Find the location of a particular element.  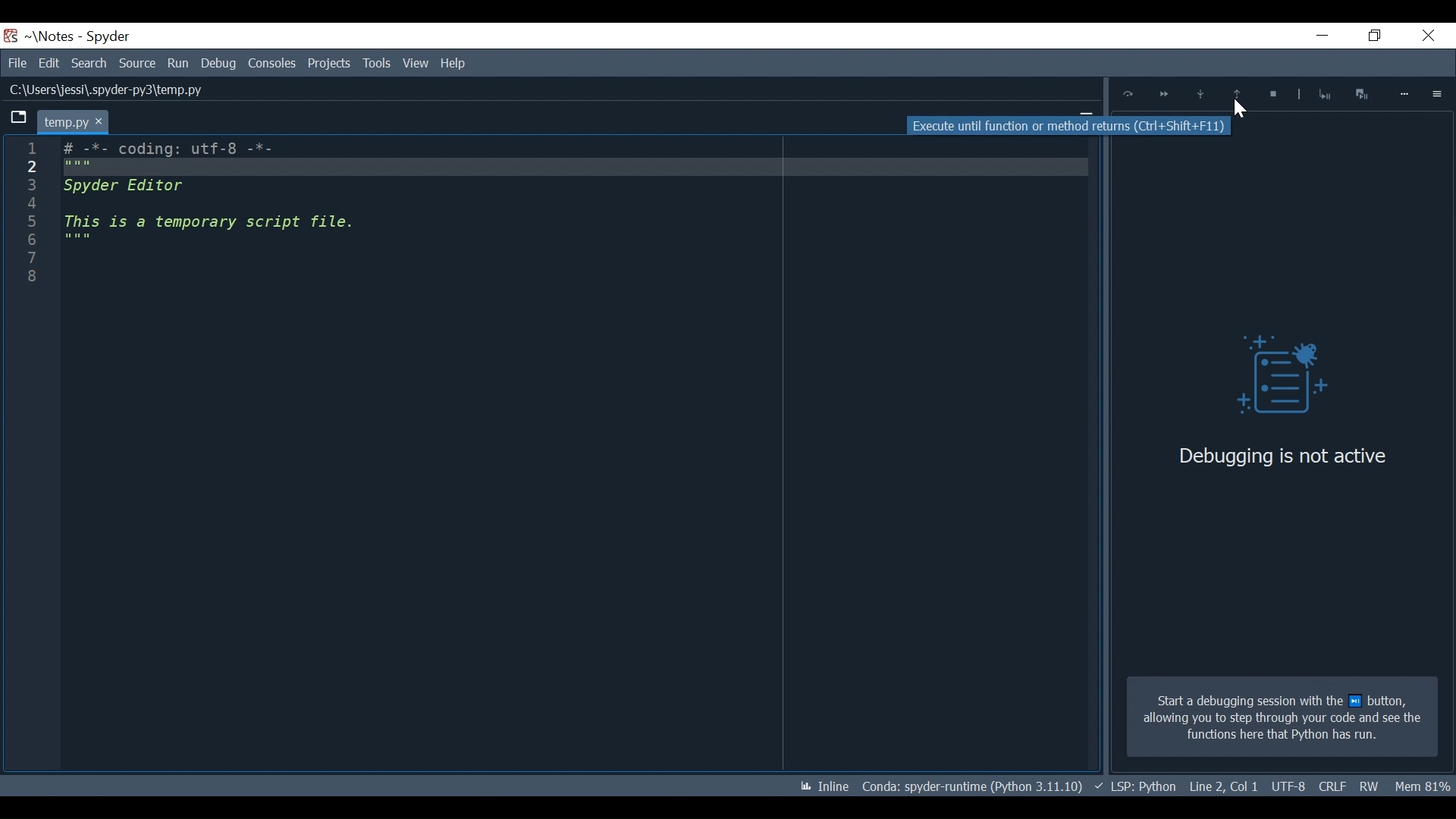

Tools is located at coordinates (331, 63).